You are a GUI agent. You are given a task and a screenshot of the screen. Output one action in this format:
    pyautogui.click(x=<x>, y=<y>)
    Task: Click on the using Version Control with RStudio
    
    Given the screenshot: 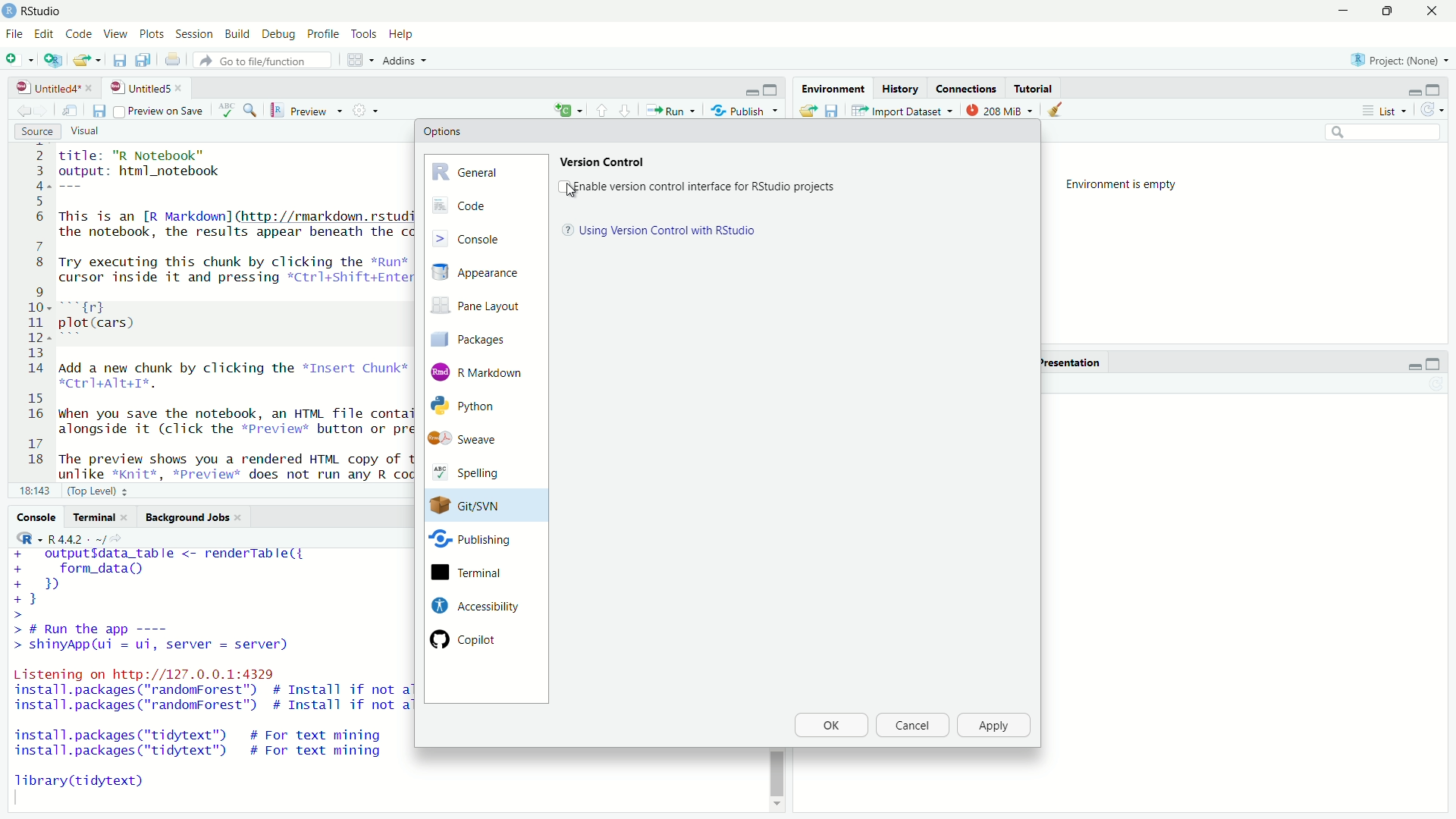 What is the action you would take?
    pyautogui.click(x=668, y=231)
    